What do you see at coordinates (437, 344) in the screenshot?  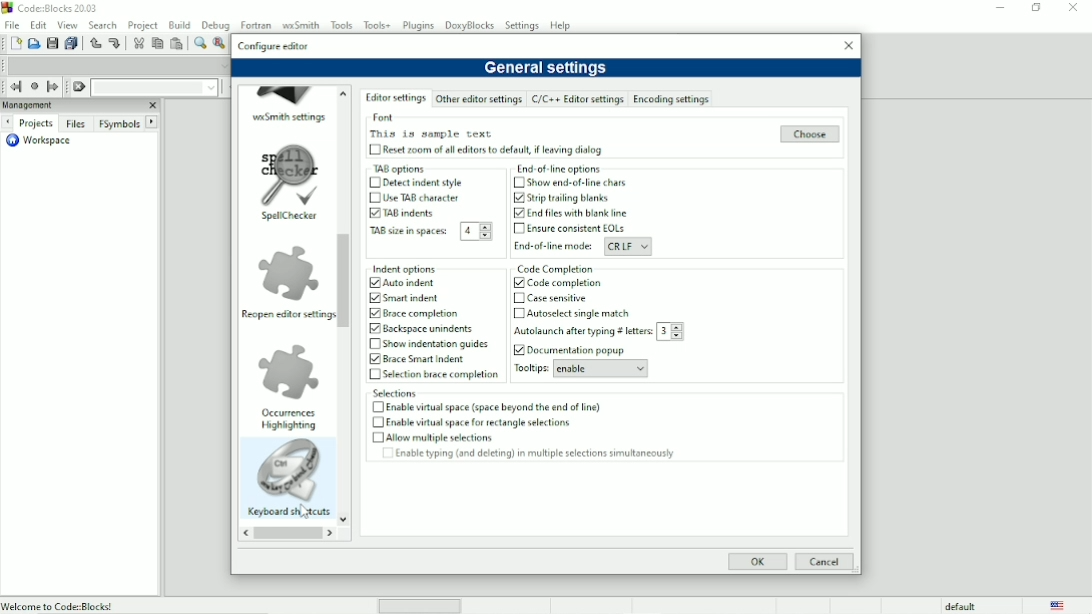 I see `Show indentation guides` at bounding box center [437, 344].